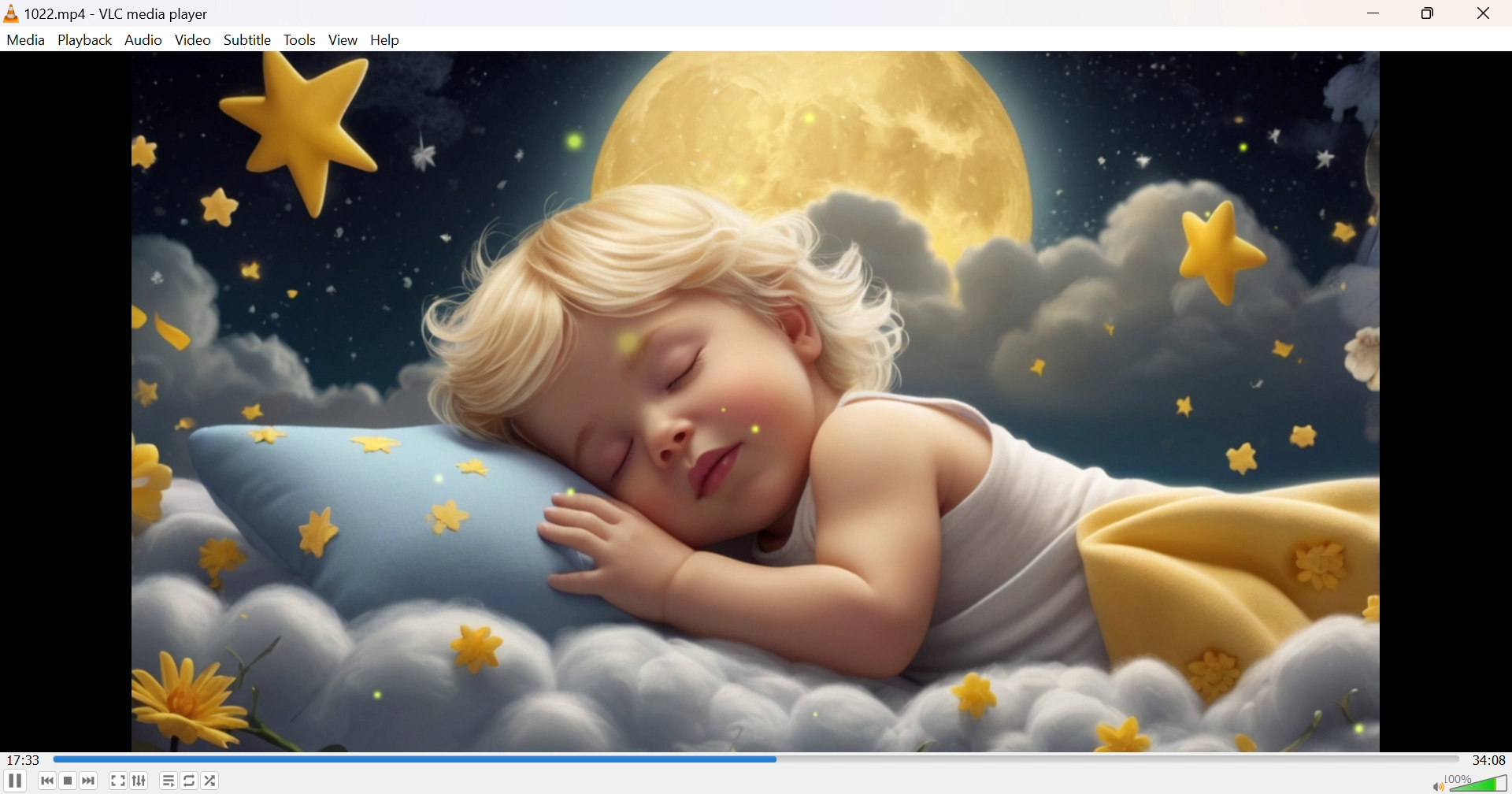 This screenshot has width=1512, height=794. I want to click on Toggle playlist, so click(168, 781).